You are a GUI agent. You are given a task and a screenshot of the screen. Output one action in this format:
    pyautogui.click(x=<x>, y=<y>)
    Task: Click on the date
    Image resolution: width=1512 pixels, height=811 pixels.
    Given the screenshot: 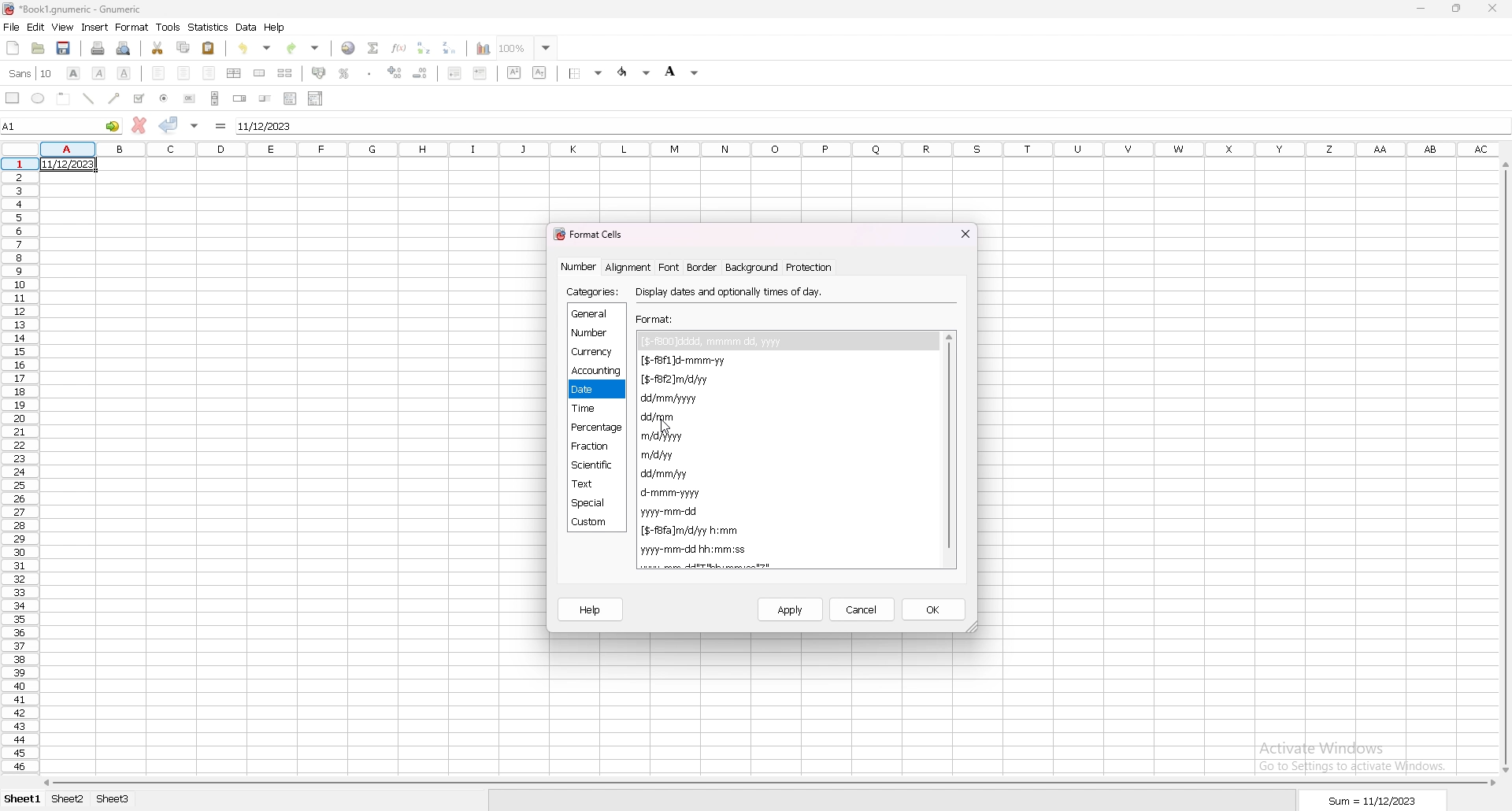 What is the action you would take?
    pyautogui.click(x=67, y=164)
    